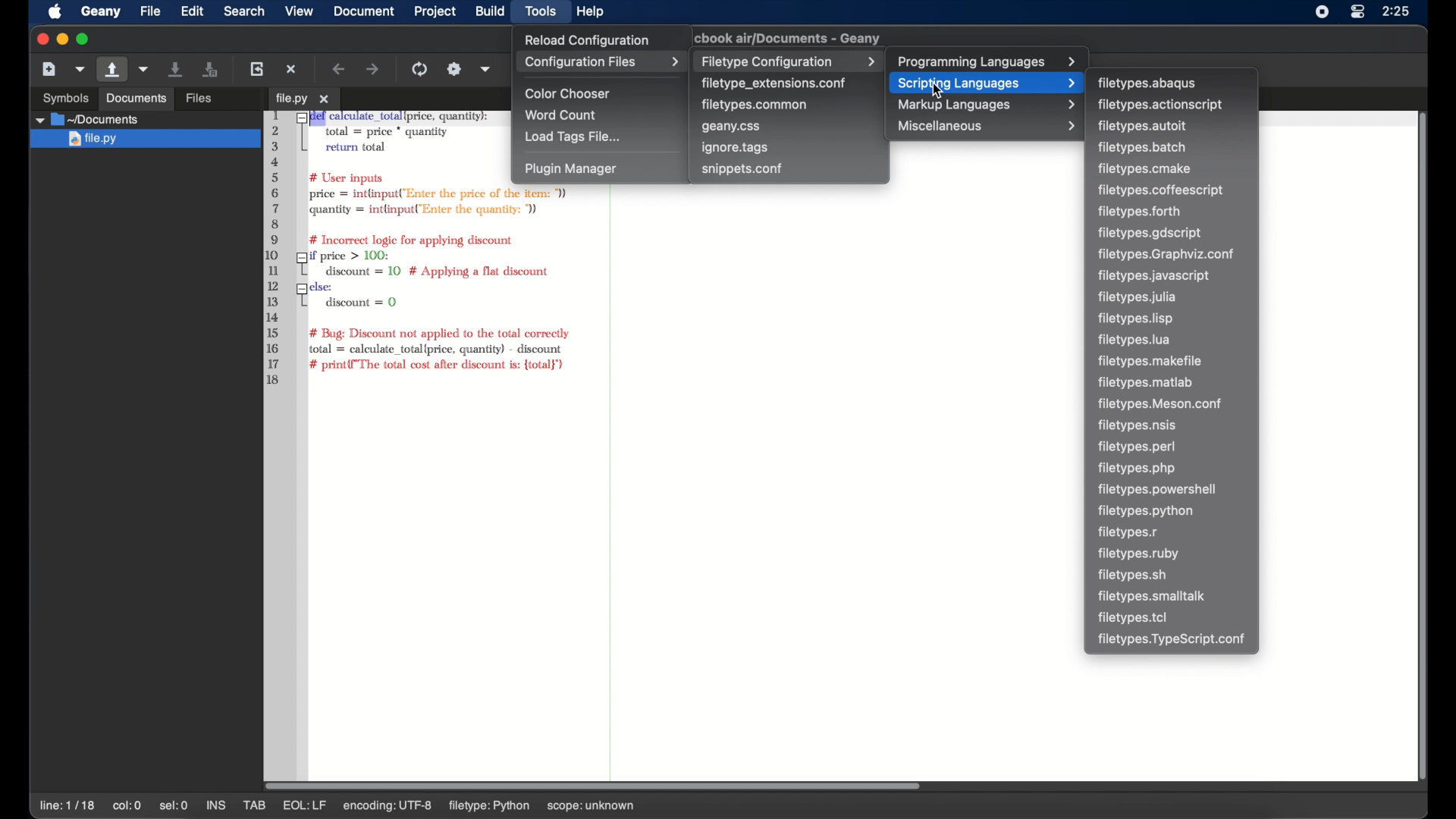 The image size is (1456, 819). Describe the element at coordinates (374, 70) in the screenshot. I see `navigate forward a location` at that location.